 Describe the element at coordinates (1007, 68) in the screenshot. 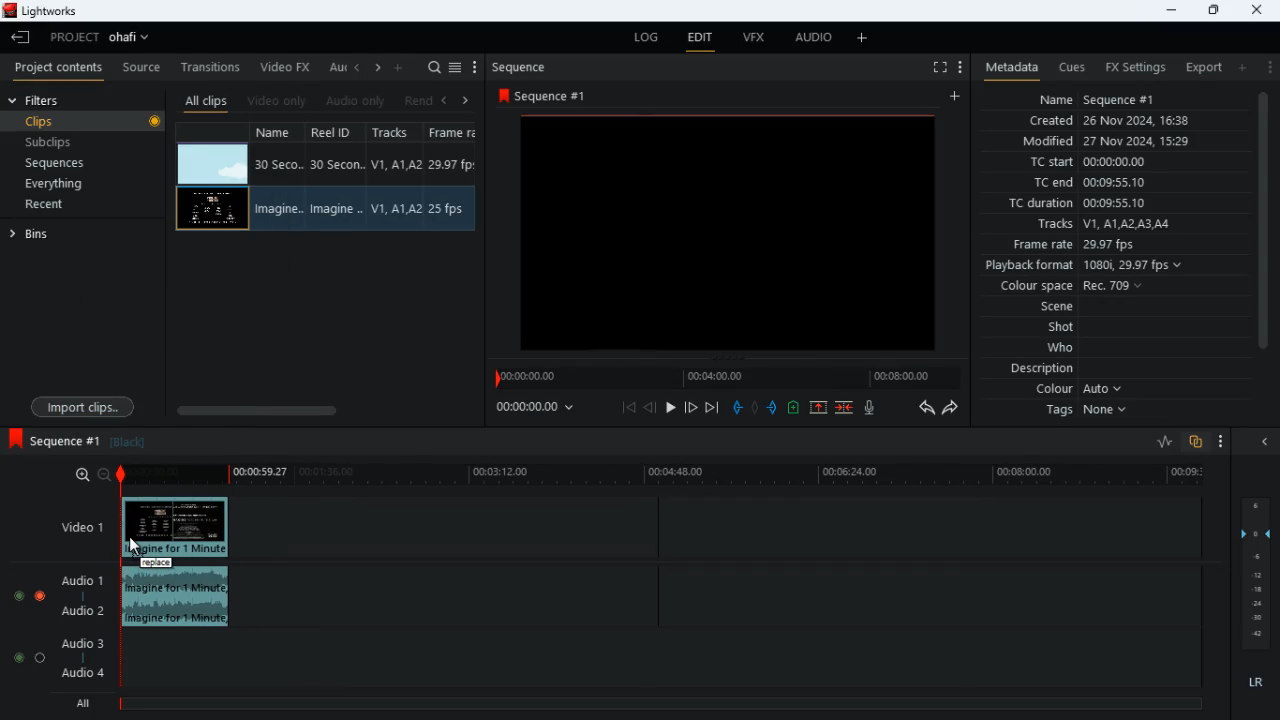

I see `metadata` at that location.